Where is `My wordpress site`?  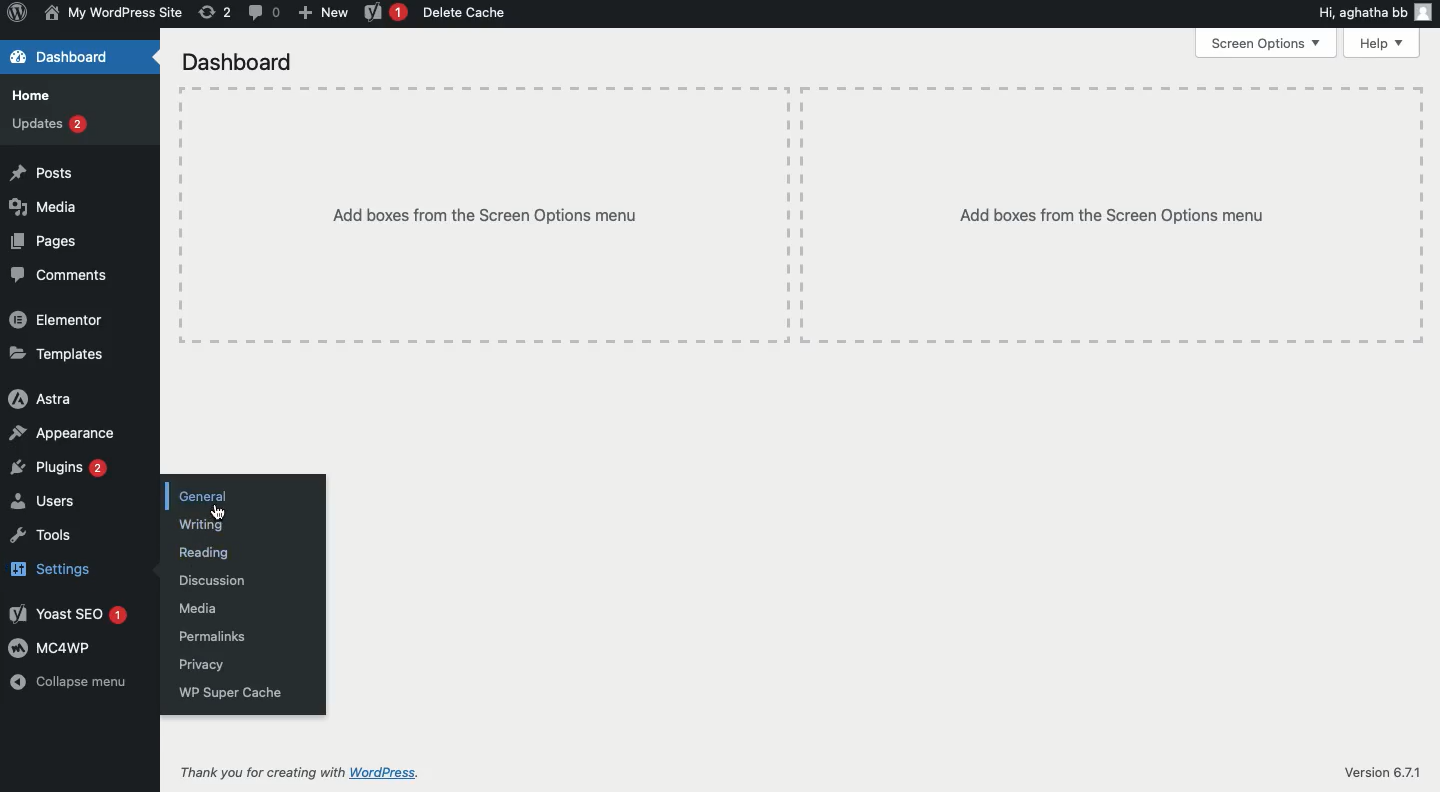 My wordpress site is located at coordinates (111, 12).